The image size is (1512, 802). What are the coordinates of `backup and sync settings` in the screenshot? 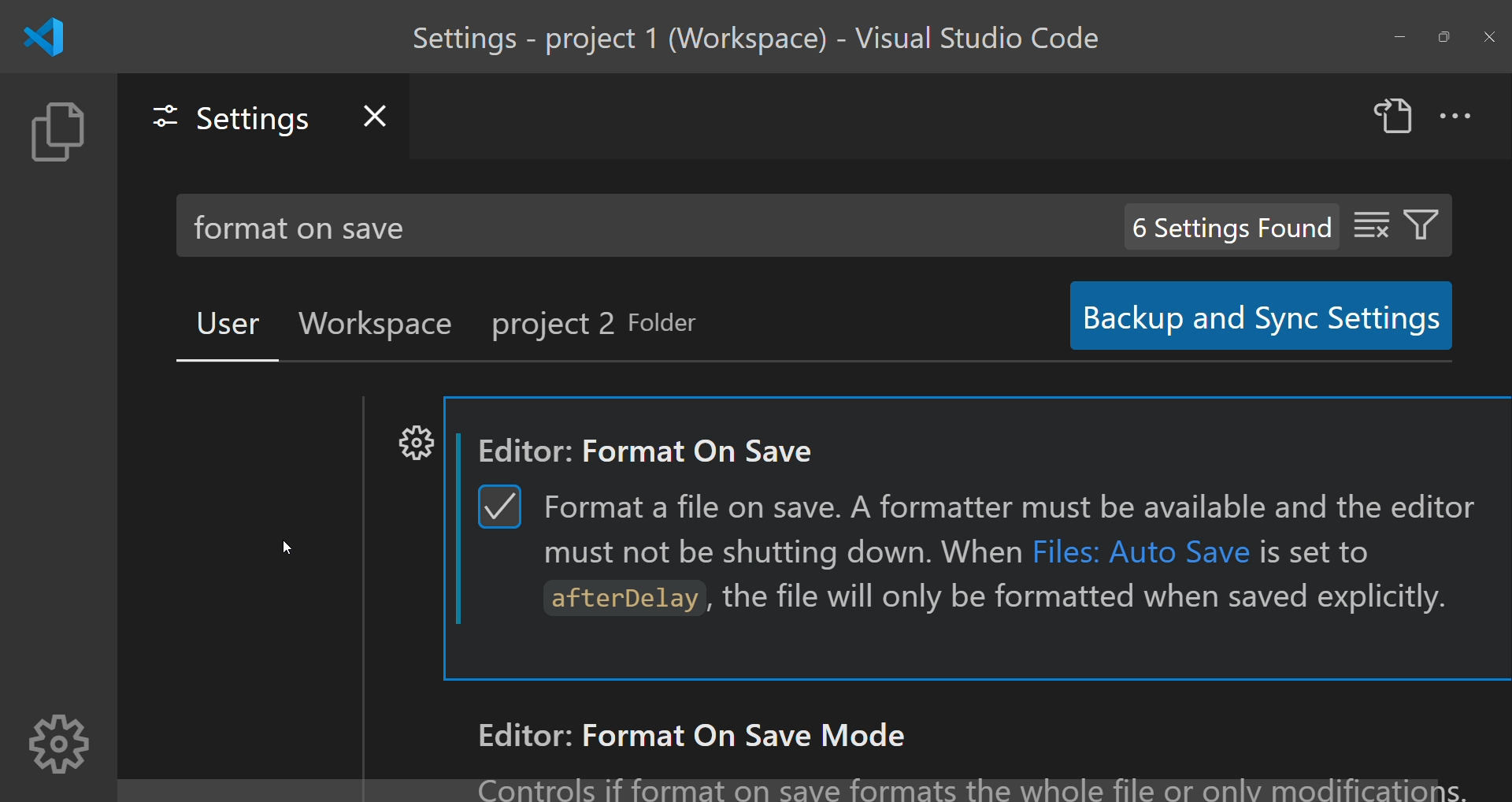 It's located at (1252, 316).